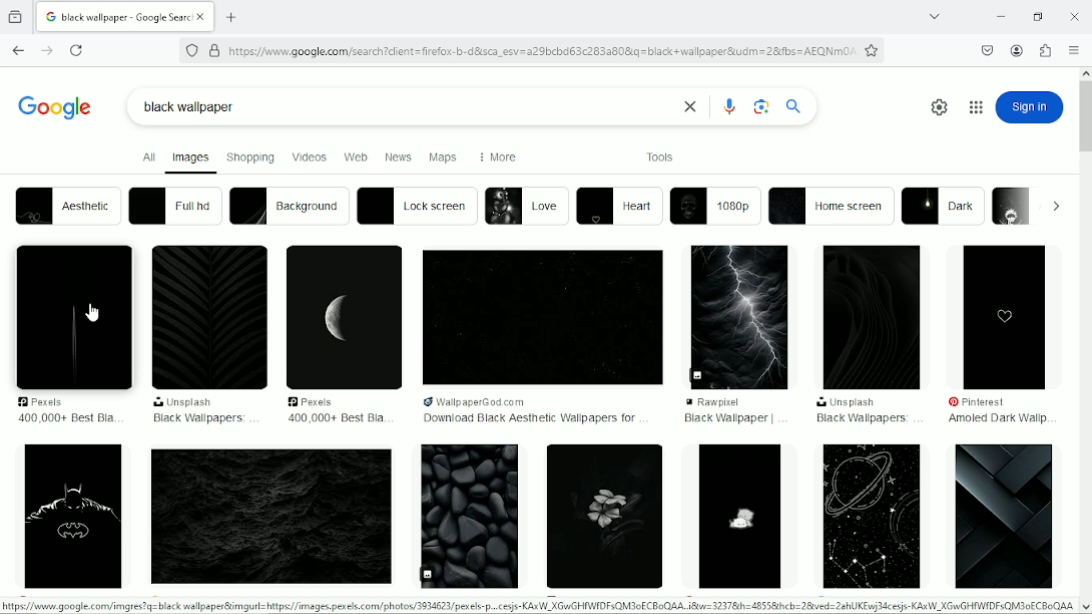 This screenshot has width=1092, height=614. What do you see at coordinates (45, 51) in the screenshot?
I see `Go forward` at bounding box center [45, 51].